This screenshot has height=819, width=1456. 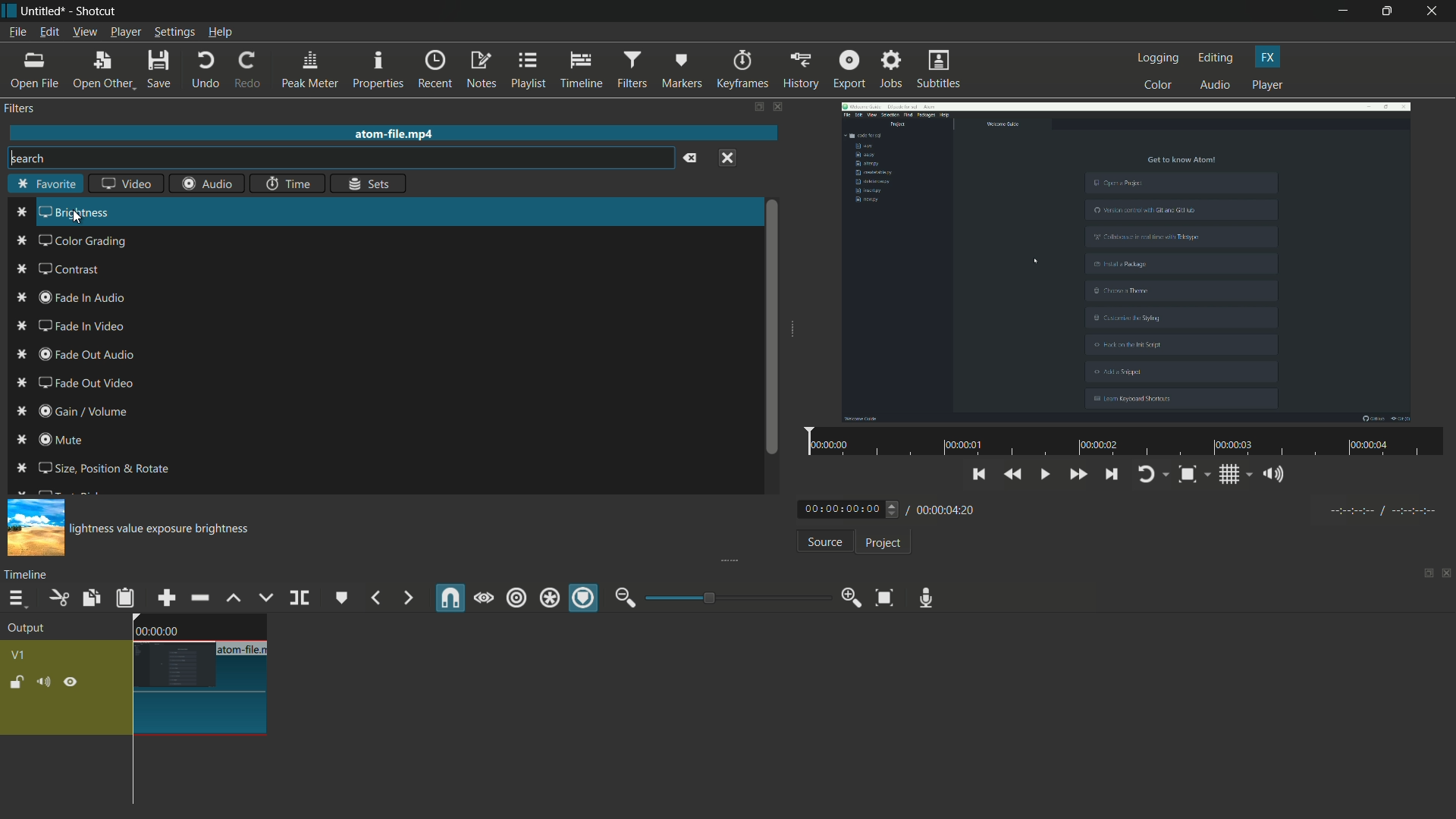 I want to click on minimize, so click(x=1343, y=11).